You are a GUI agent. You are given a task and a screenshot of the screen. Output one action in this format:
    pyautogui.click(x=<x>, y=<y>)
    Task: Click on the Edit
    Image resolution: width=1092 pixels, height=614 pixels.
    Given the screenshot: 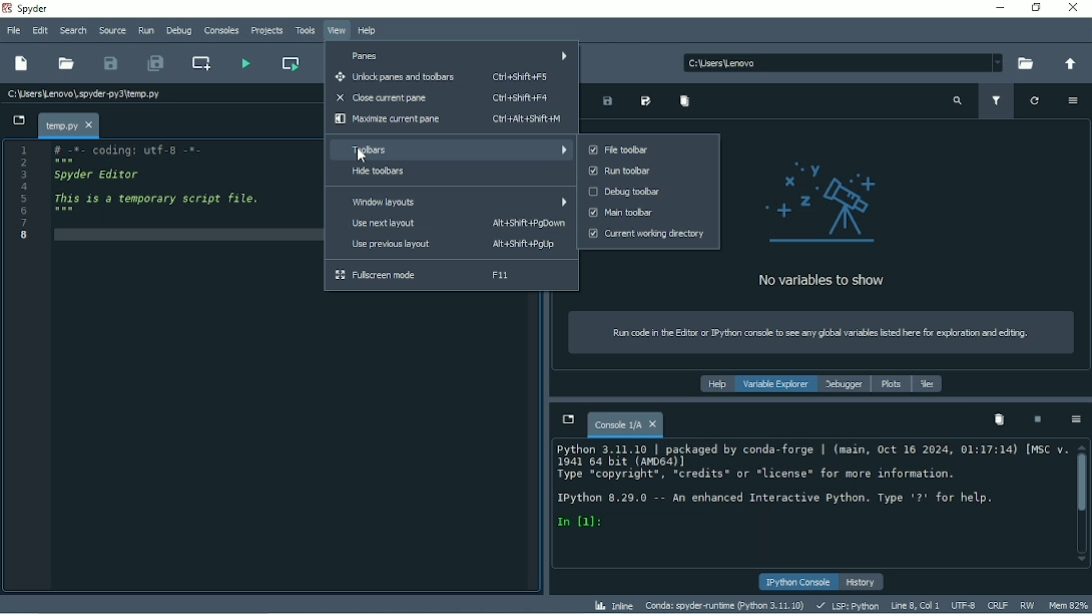 What is the action you would take?
    pyautogui.click(x=39, y=29)
    